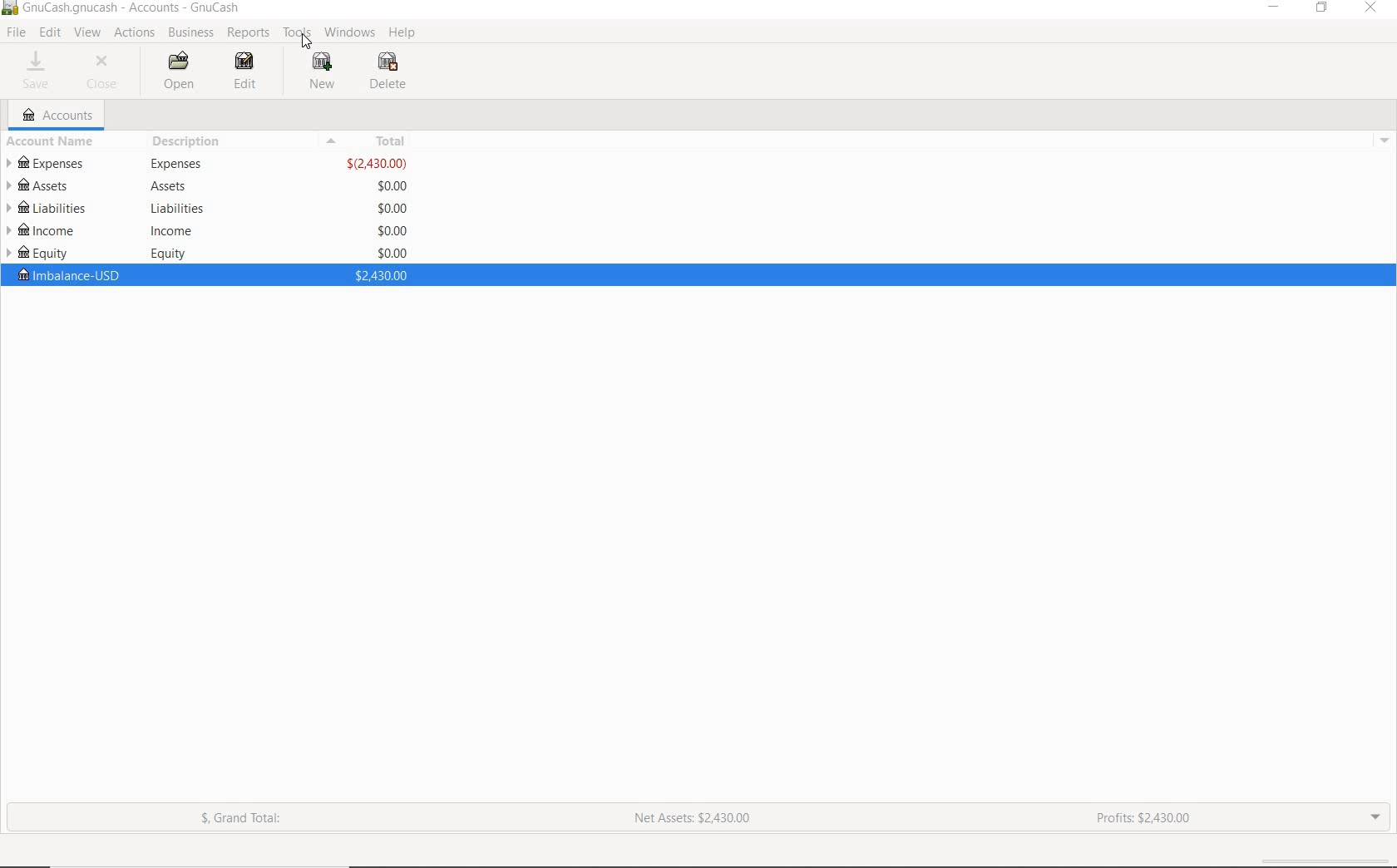 This screenshot has width=1397, height=868. Describe the element at coordinates (50, 143) in the screenshot. I see `ACCOUNT NAME` at that location.